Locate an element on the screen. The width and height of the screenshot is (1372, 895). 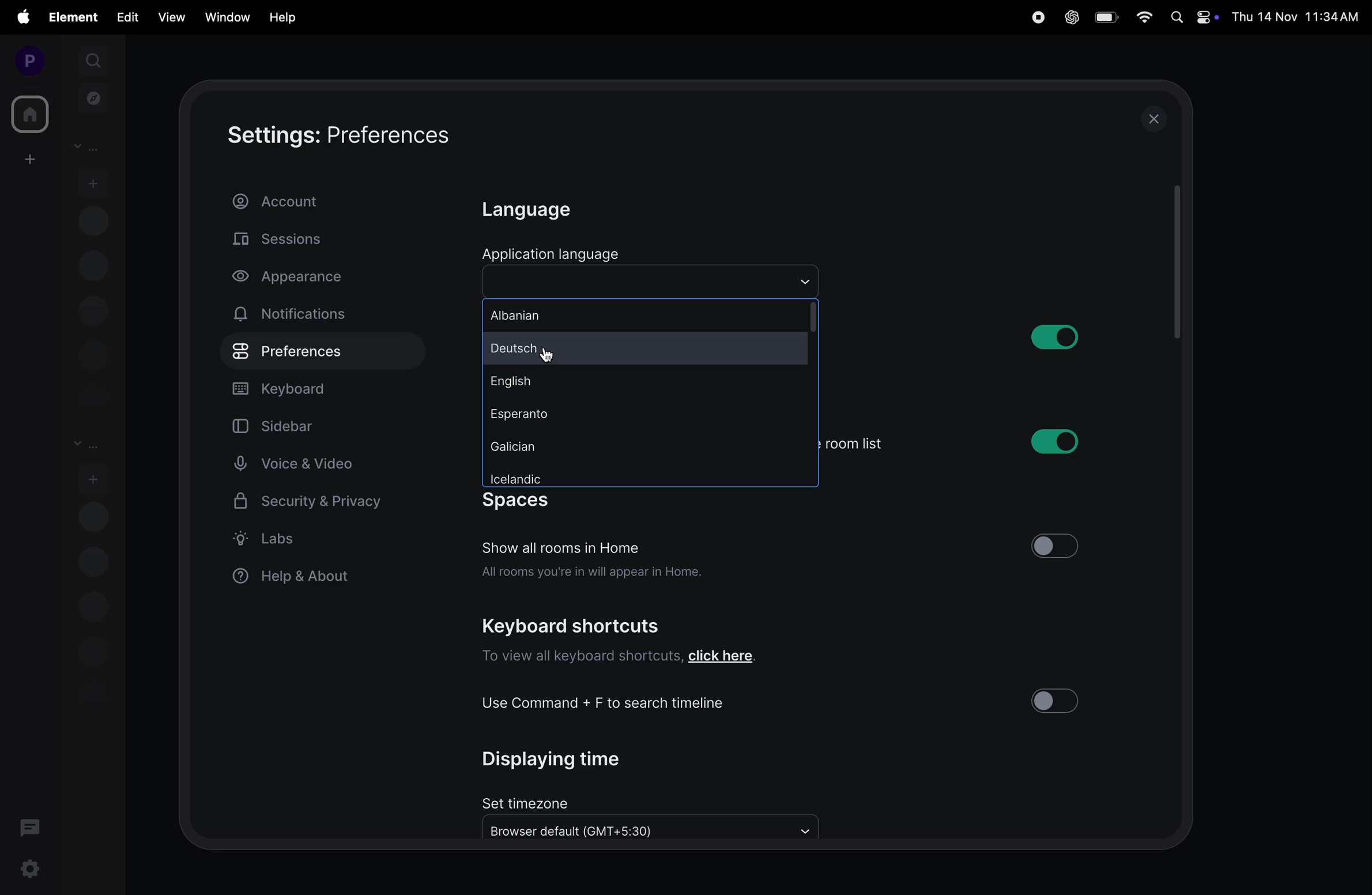
expand is located at coordinates (61, 61).